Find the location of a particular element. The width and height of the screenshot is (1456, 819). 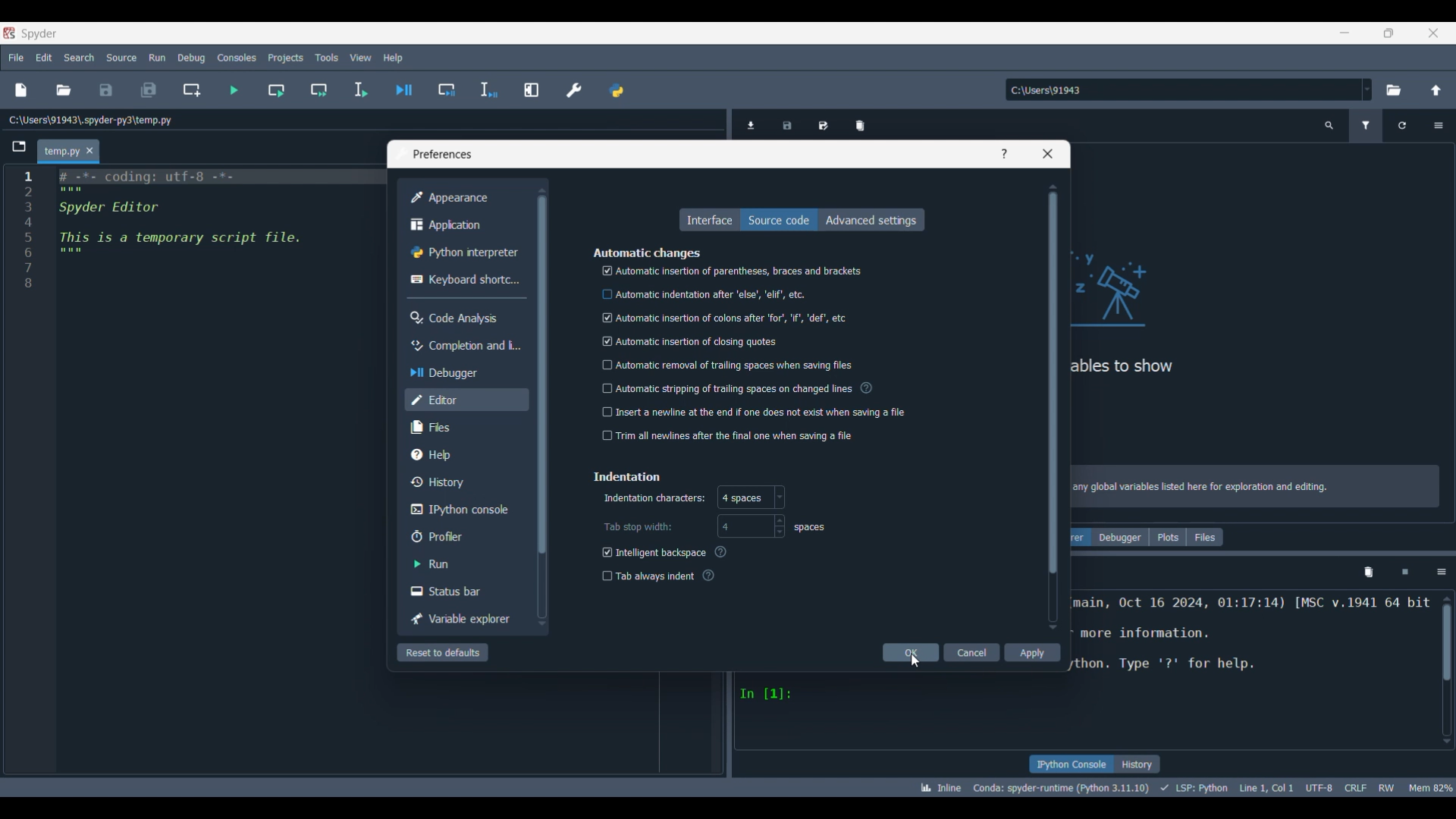

Interrupt kernel is located at coordinates (1405, 573).